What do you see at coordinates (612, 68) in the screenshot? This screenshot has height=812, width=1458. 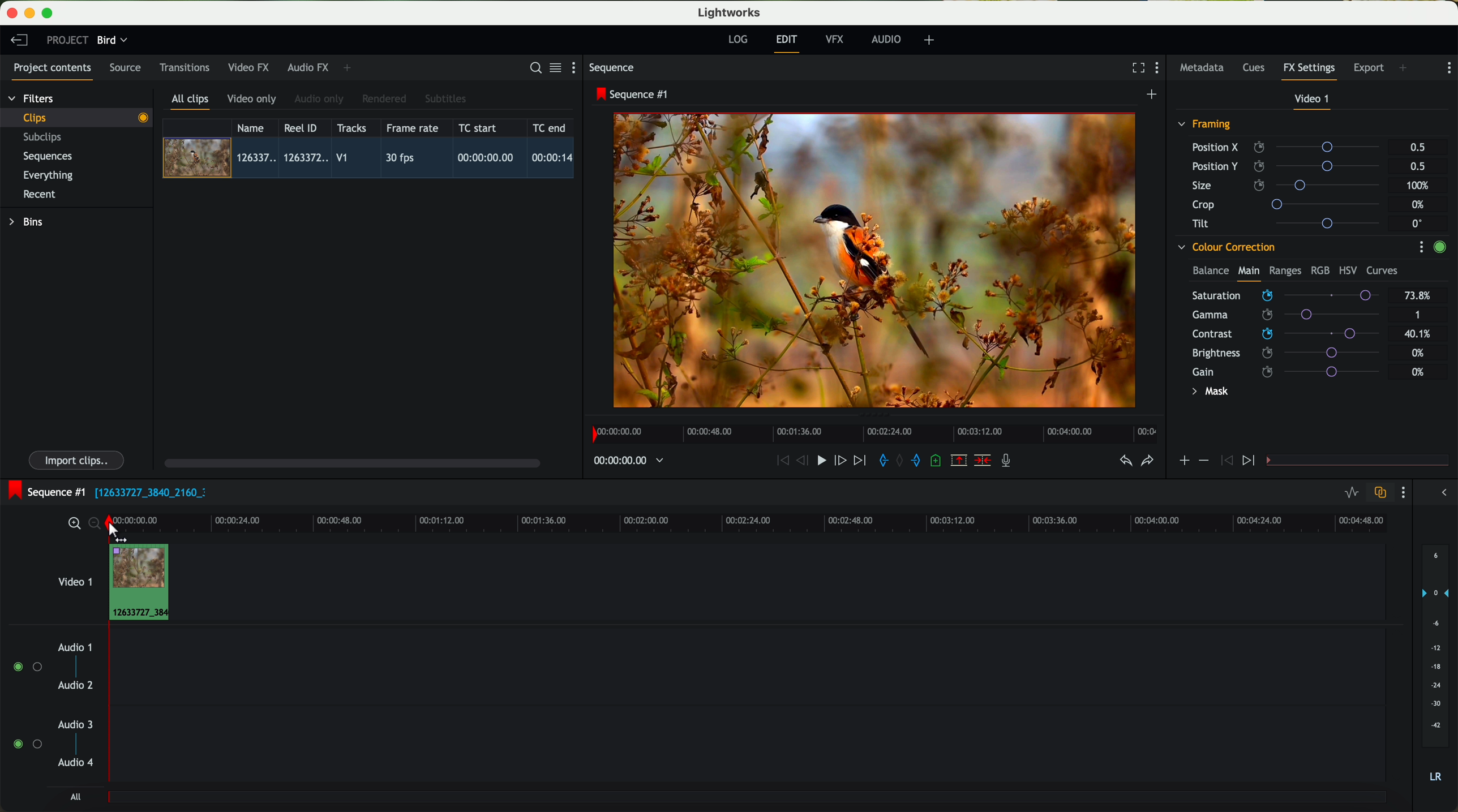 I see `sequence` at bounding box center [612, 68].